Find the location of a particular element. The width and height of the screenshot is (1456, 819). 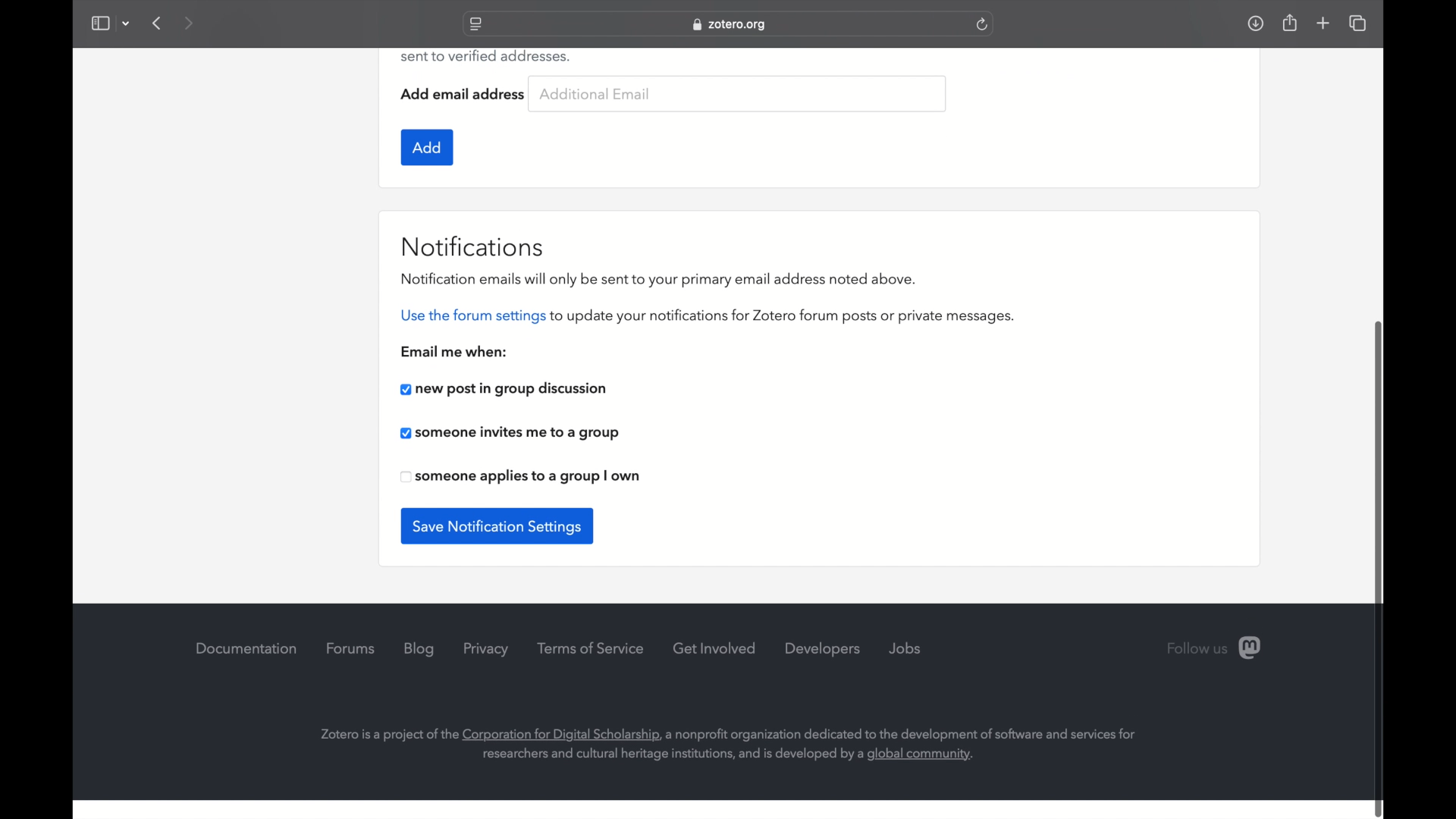

additional email is located at coordinates (596, 94).